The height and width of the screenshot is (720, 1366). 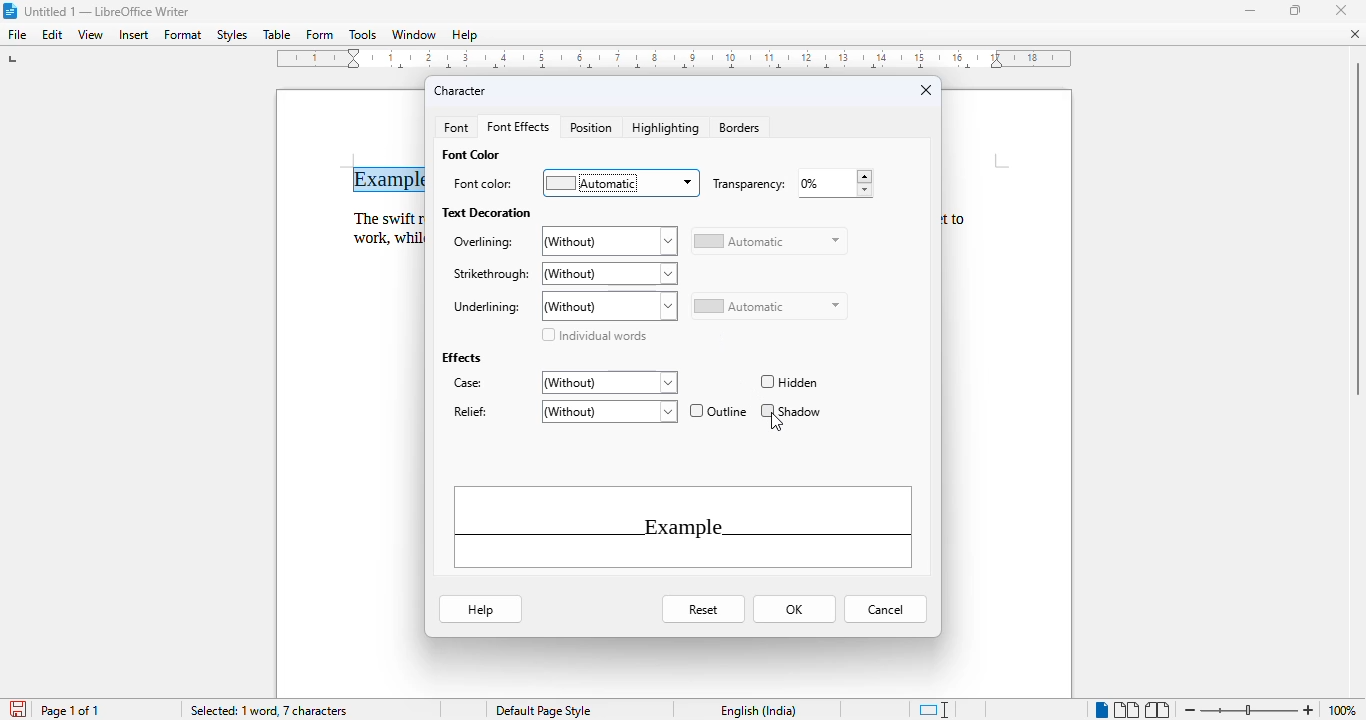 I want to click on styles, so click(x=233, y=35).